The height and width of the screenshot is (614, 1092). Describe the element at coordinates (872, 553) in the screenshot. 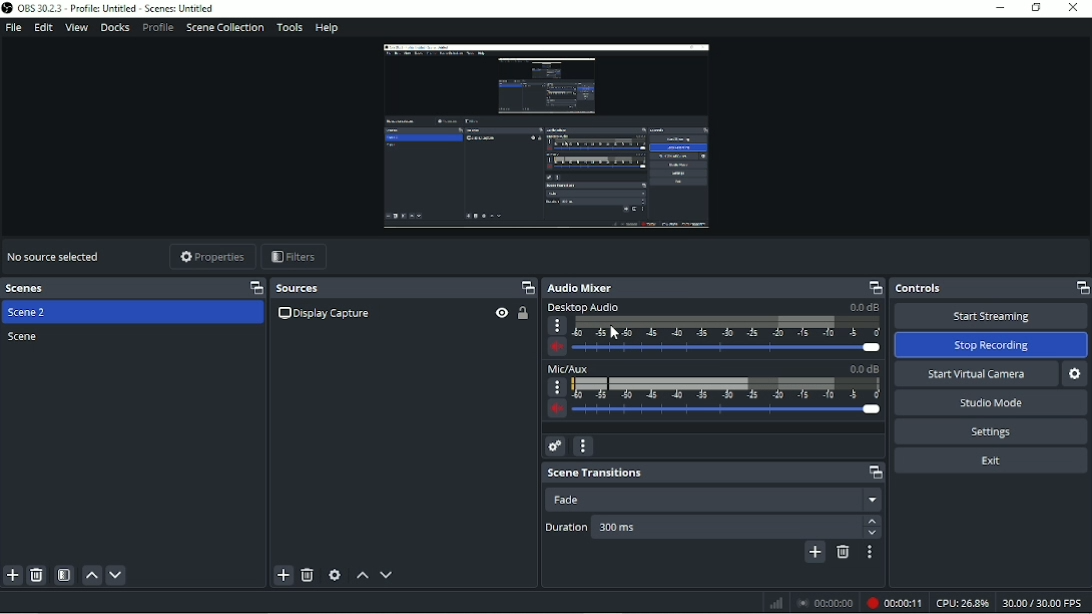

I see `Transition properties` at that location.